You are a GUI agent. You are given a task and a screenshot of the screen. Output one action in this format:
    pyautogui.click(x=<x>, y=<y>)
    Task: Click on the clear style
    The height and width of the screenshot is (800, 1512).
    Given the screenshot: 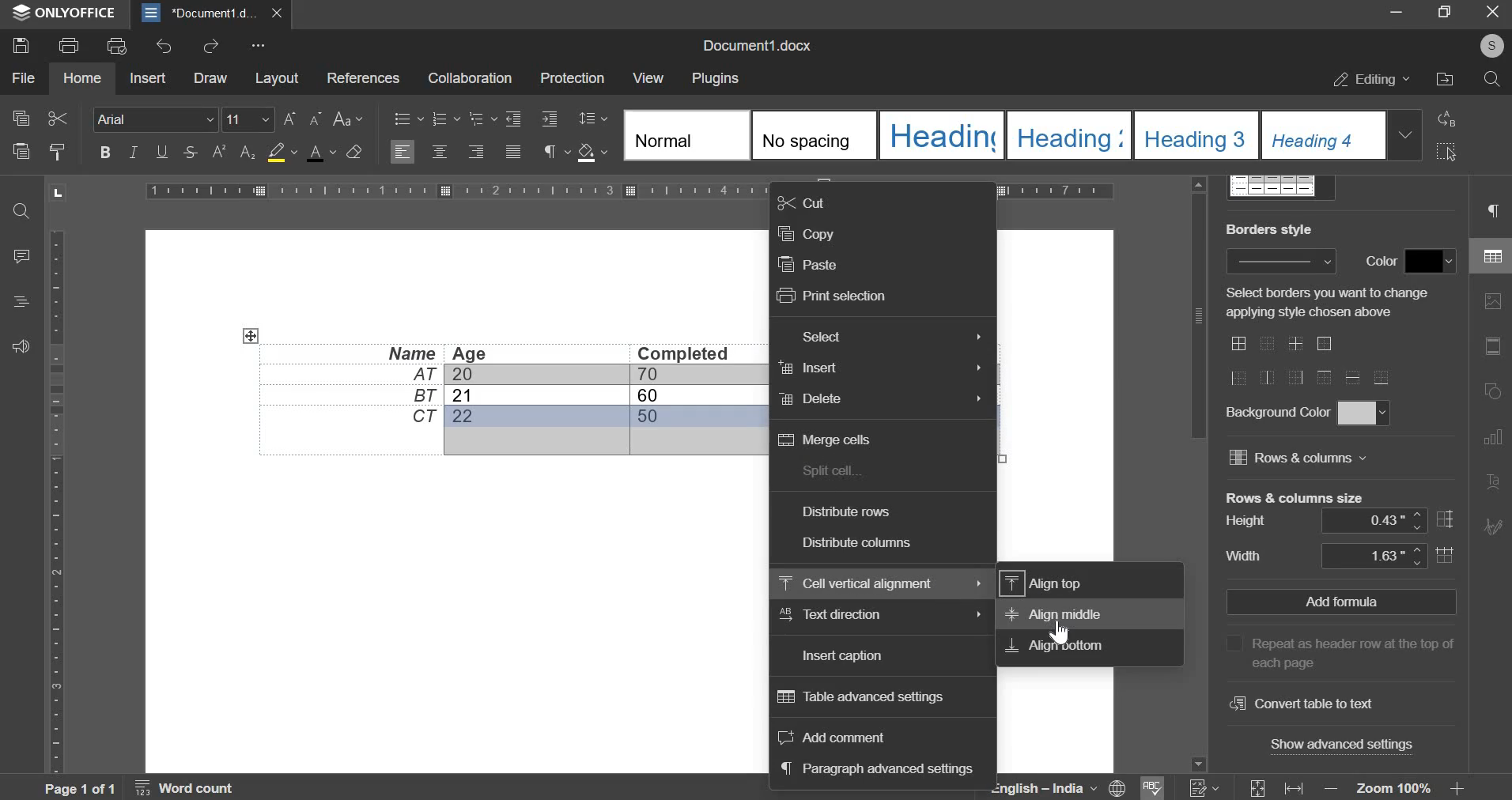 What is the action you would take?
    pyautogui.click(x=354, y=150)
    